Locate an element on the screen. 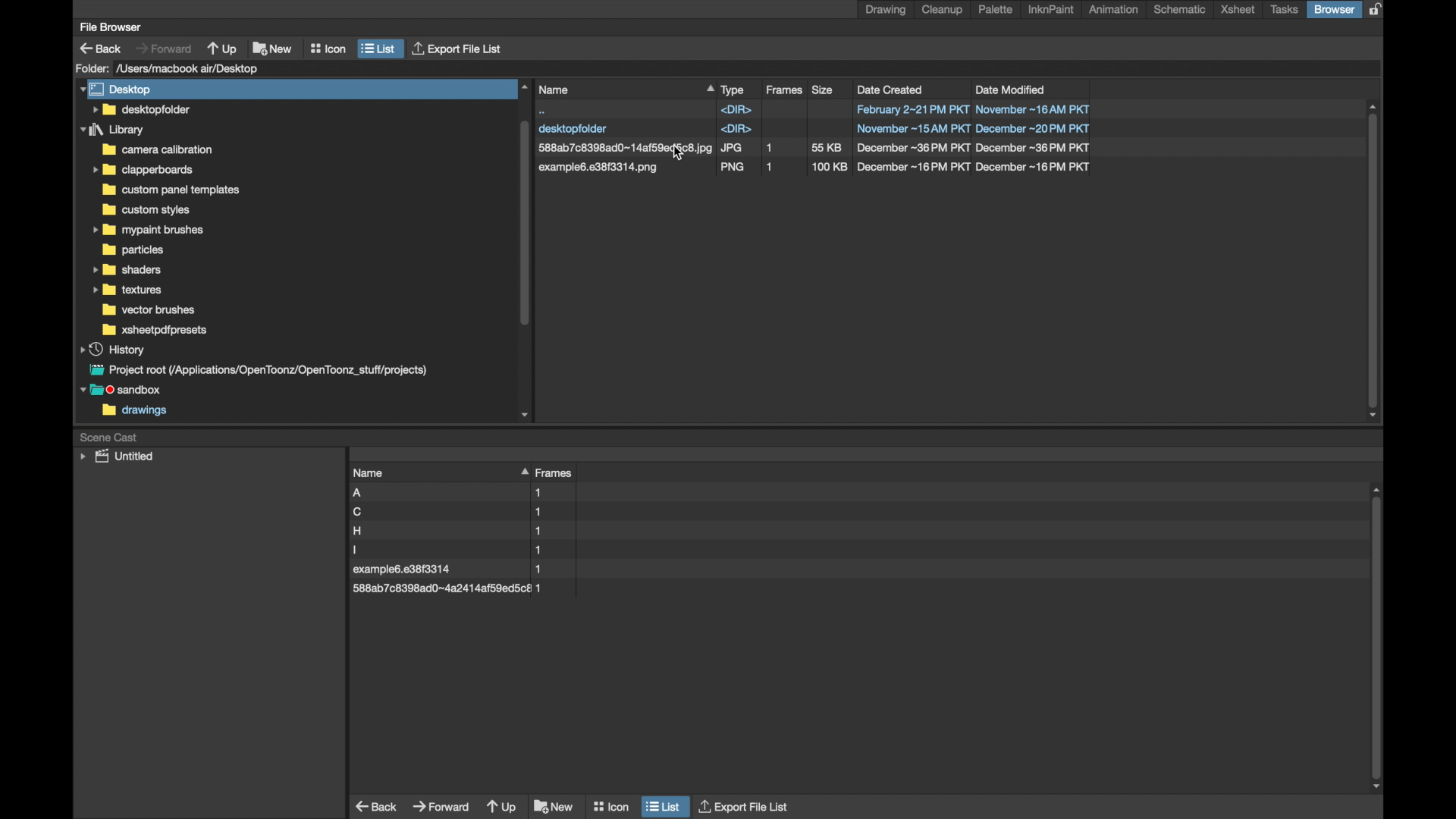 The width and height of the screenshot is (1456, 819). type is located at coordinates (733, 89).